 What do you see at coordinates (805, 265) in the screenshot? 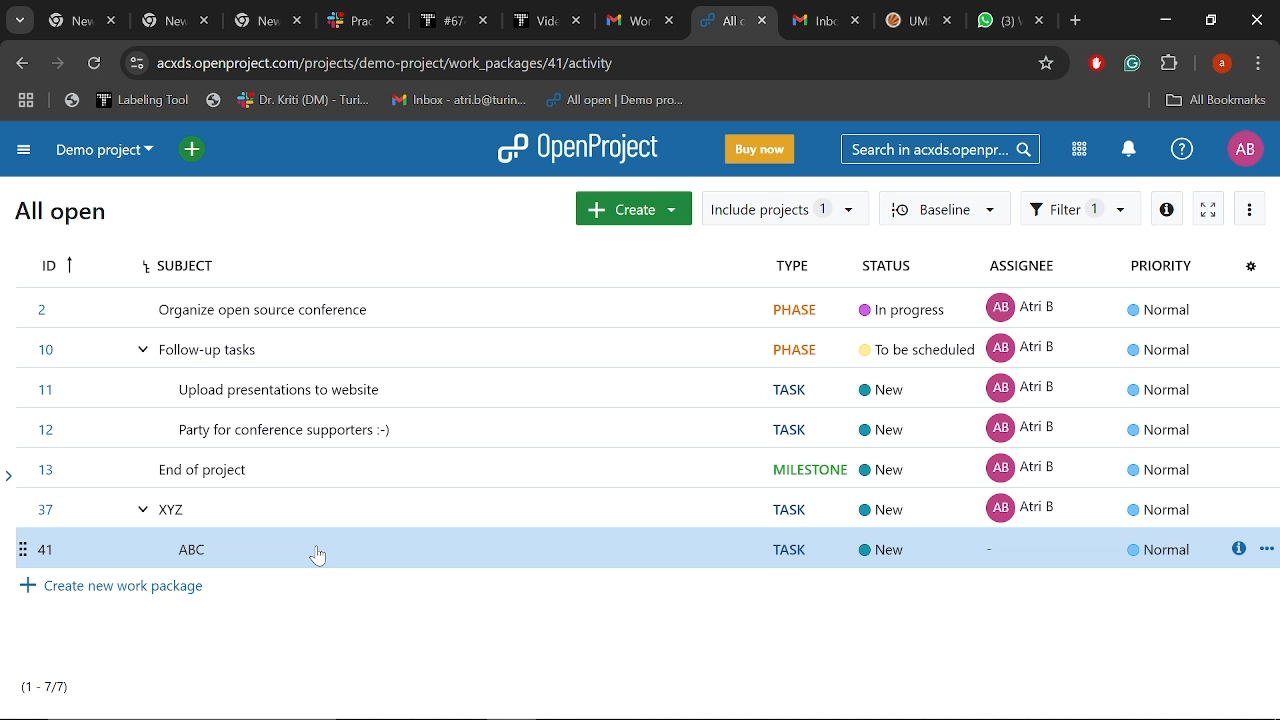
I see `Type` at bounding box center [805, 265].